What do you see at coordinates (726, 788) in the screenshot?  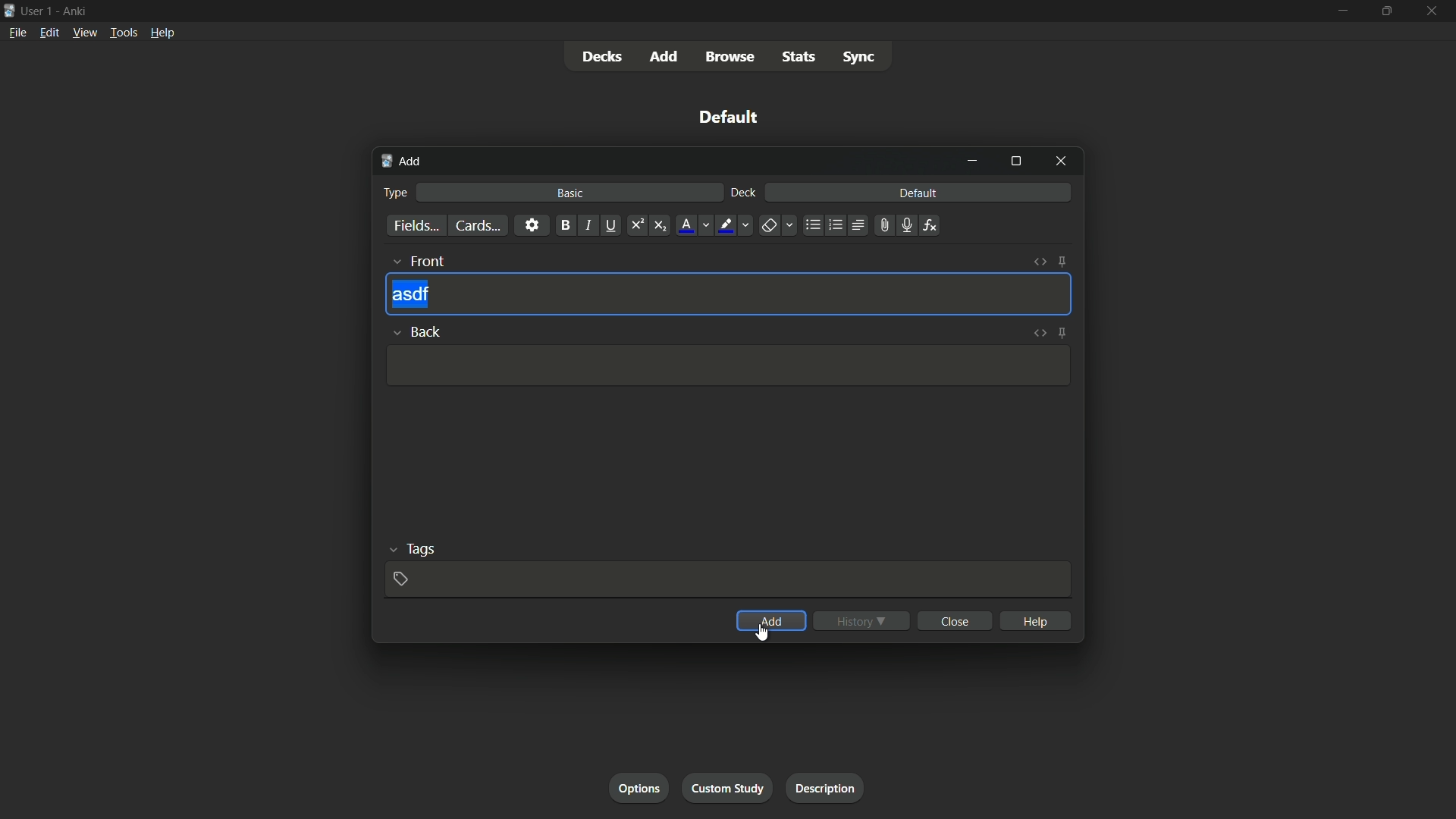 I see `custom study` at bounding box center [726, 788].